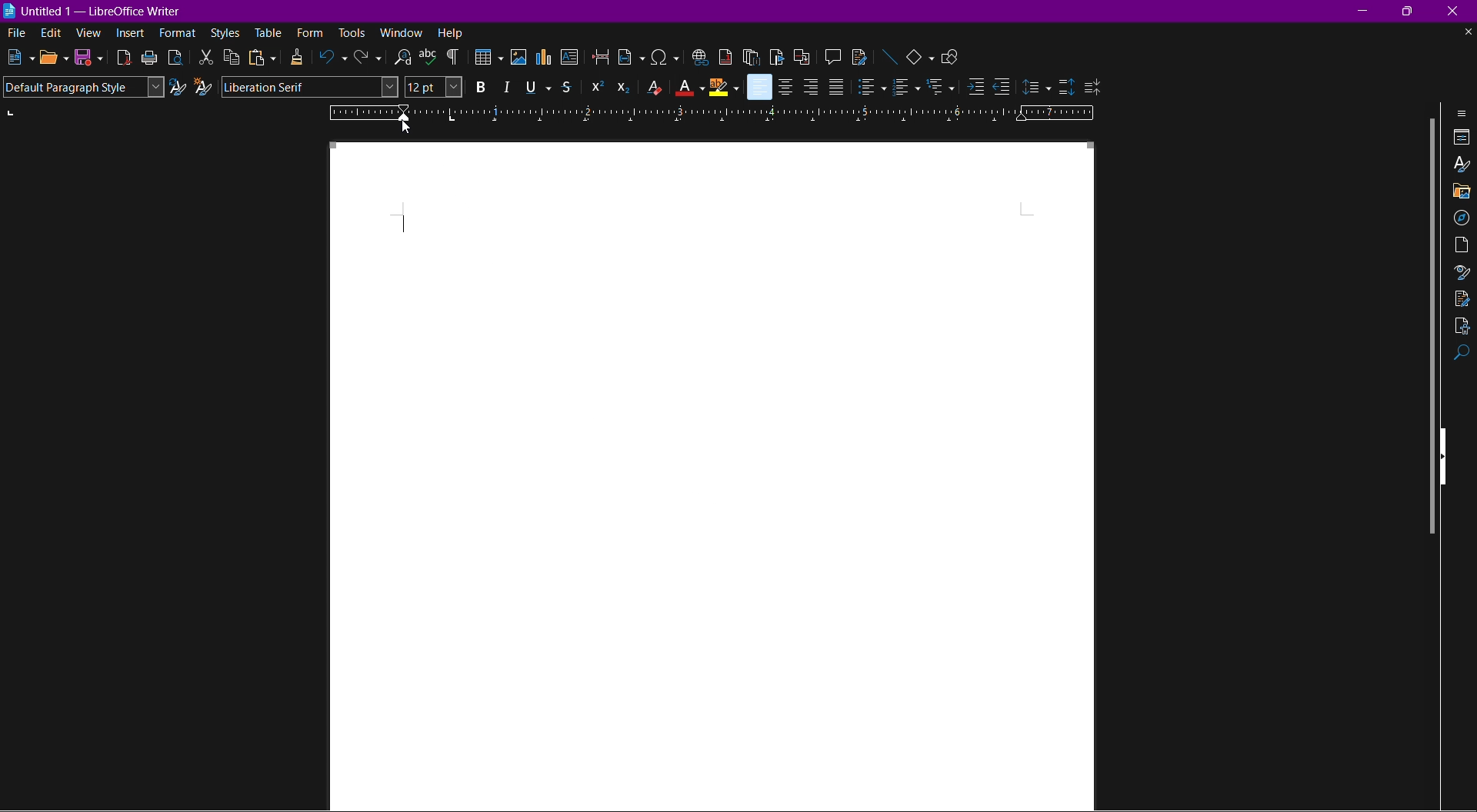  What do you see at coordinates (1412, 12) in the screenshot?
I see `Maximize` at bounding box center [1412, 12].